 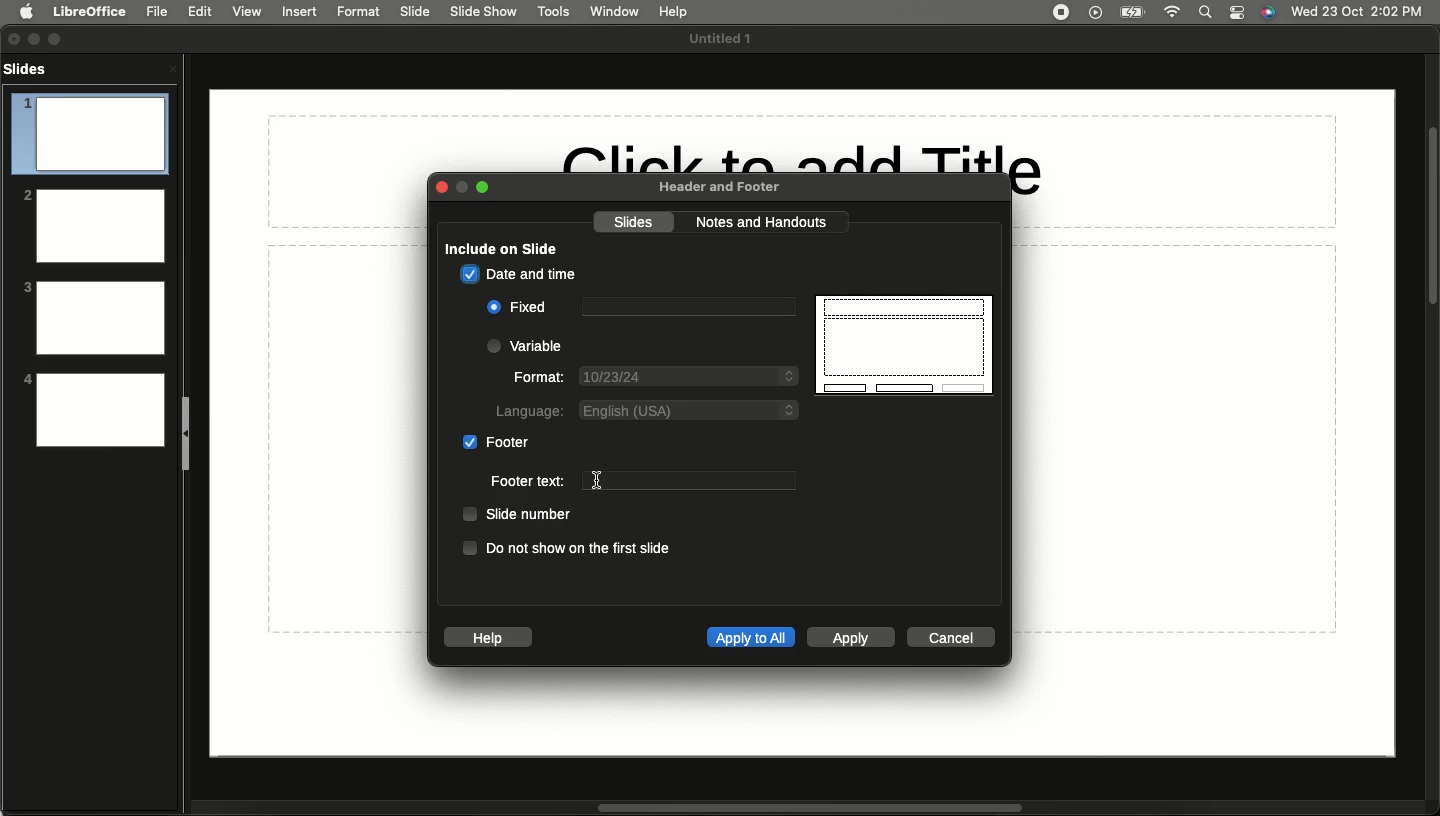 What do you see at coordinates (553, 12) in the screenshot?
I see `Tools` at bounding box center [553, 12].